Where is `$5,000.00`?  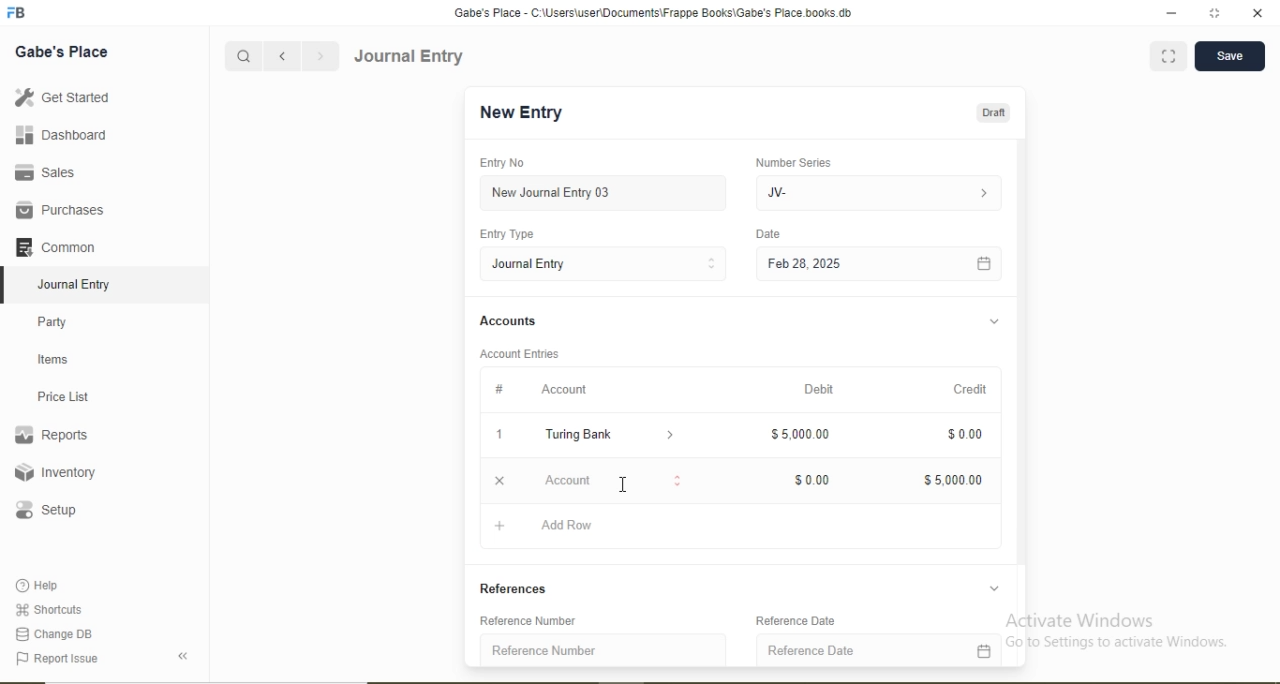
$5,000.00 is located at coordinates (800, 433).